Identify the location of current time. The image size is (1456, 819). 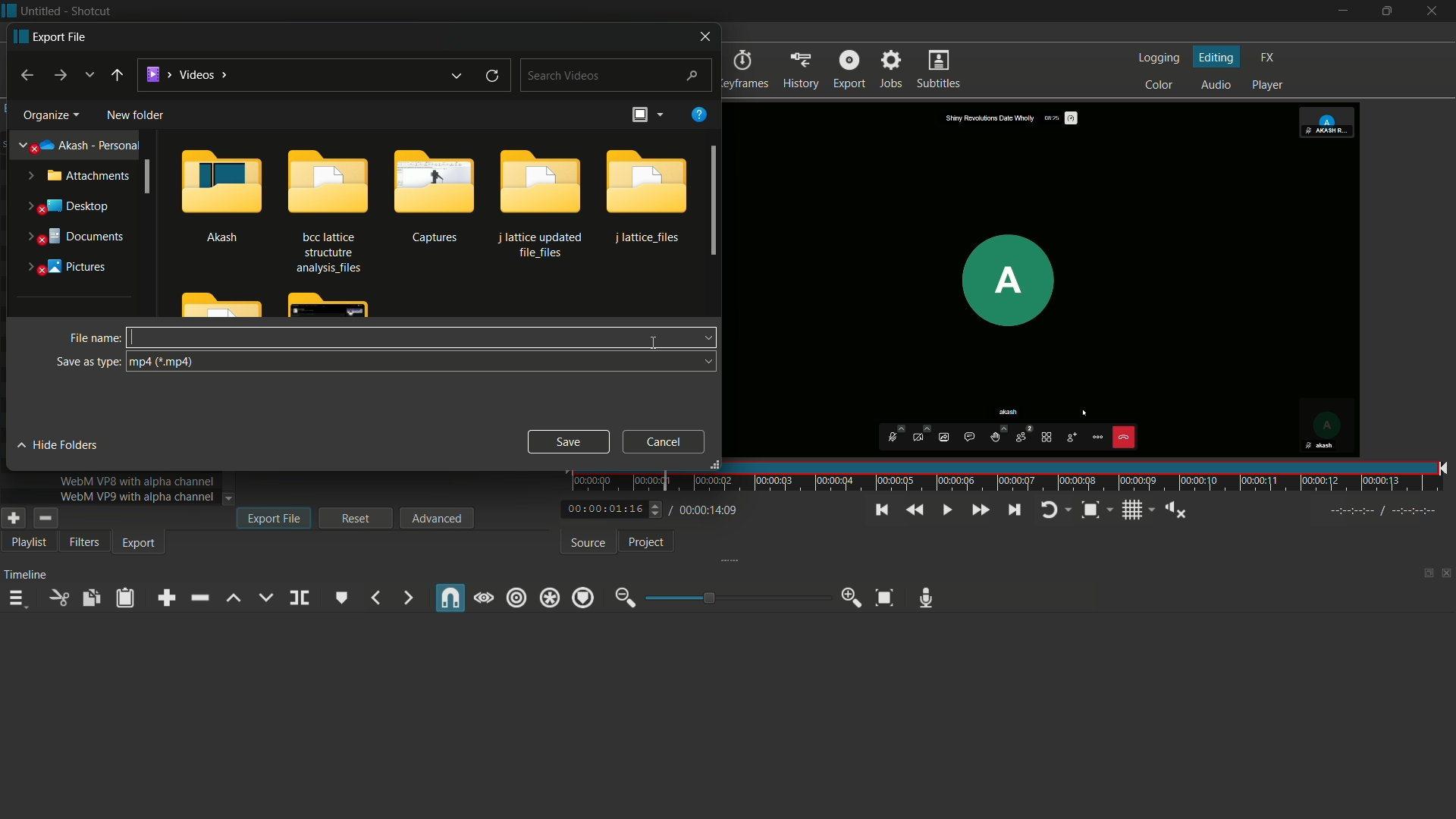
(602, 509).